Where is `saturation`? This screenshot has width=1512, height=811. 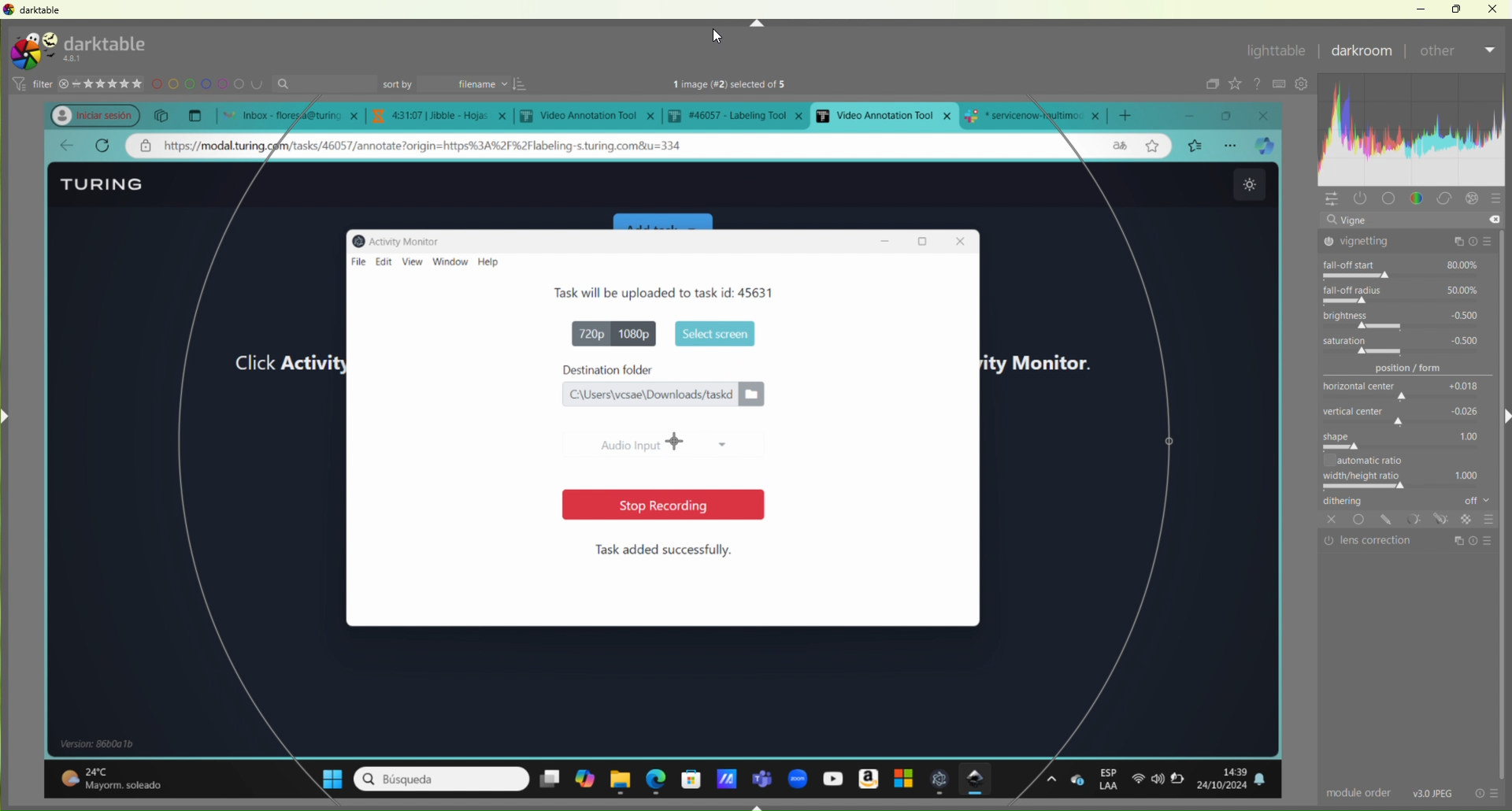 saturation is located at coordinates (1411, 344).